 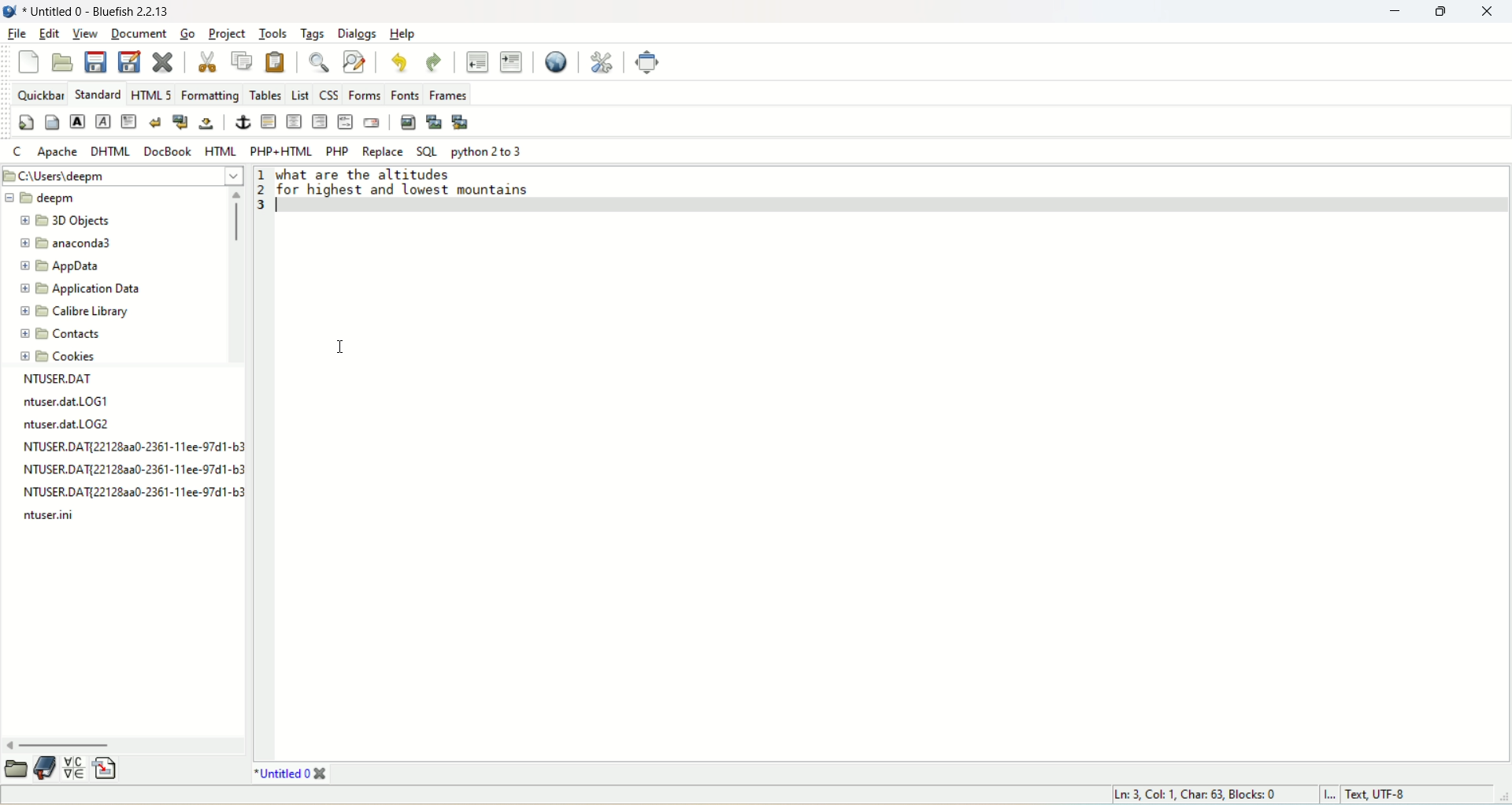 What do you see at coordinates (165, 61) in the screenshot?
I see `close current file` at bounding box center [165, 61].